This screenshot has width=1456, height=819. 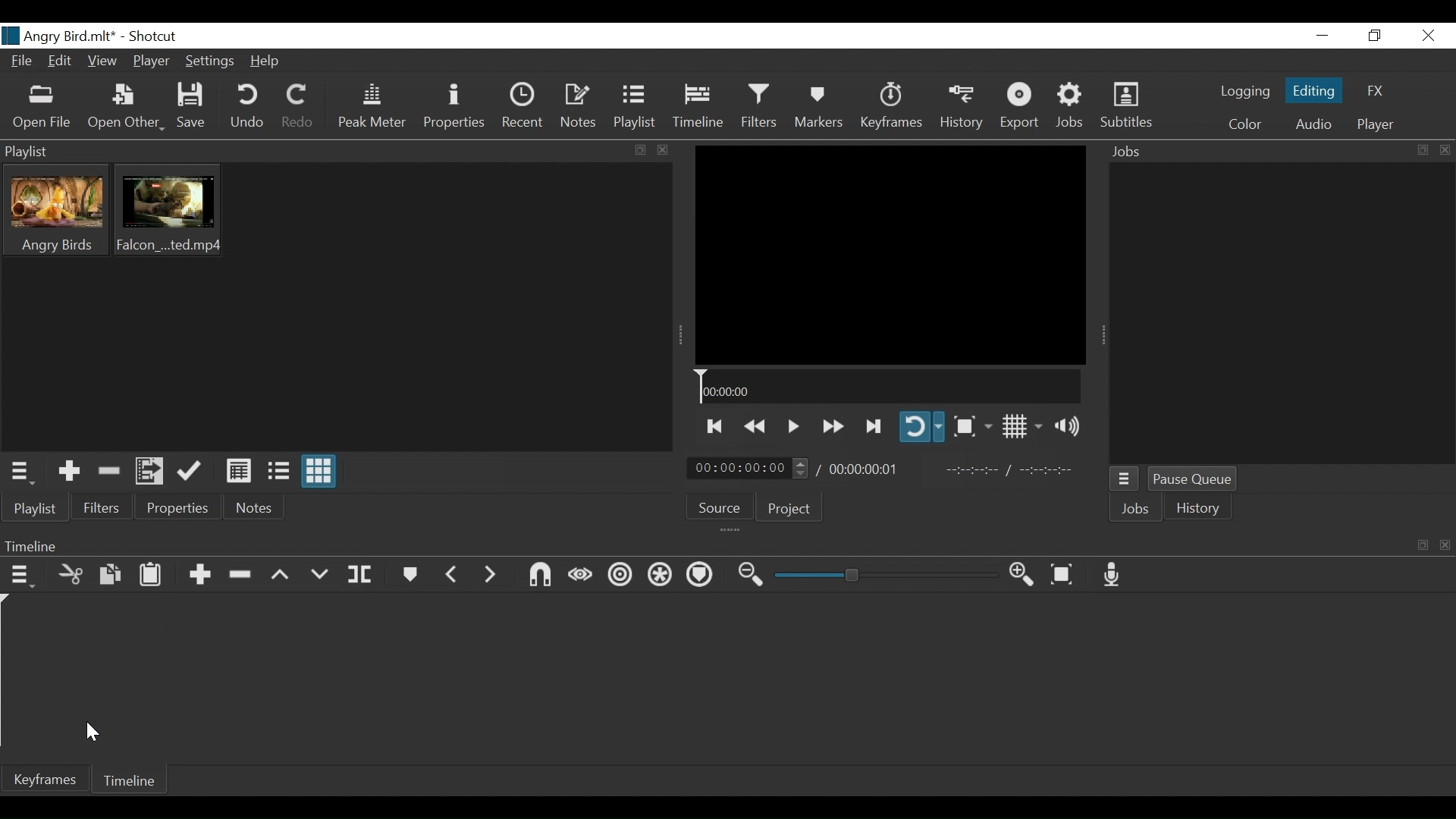 What do you see at coordinates (1323, 35) in the screenshot?
I see `Minimize` at bounding box center [1323, 35].